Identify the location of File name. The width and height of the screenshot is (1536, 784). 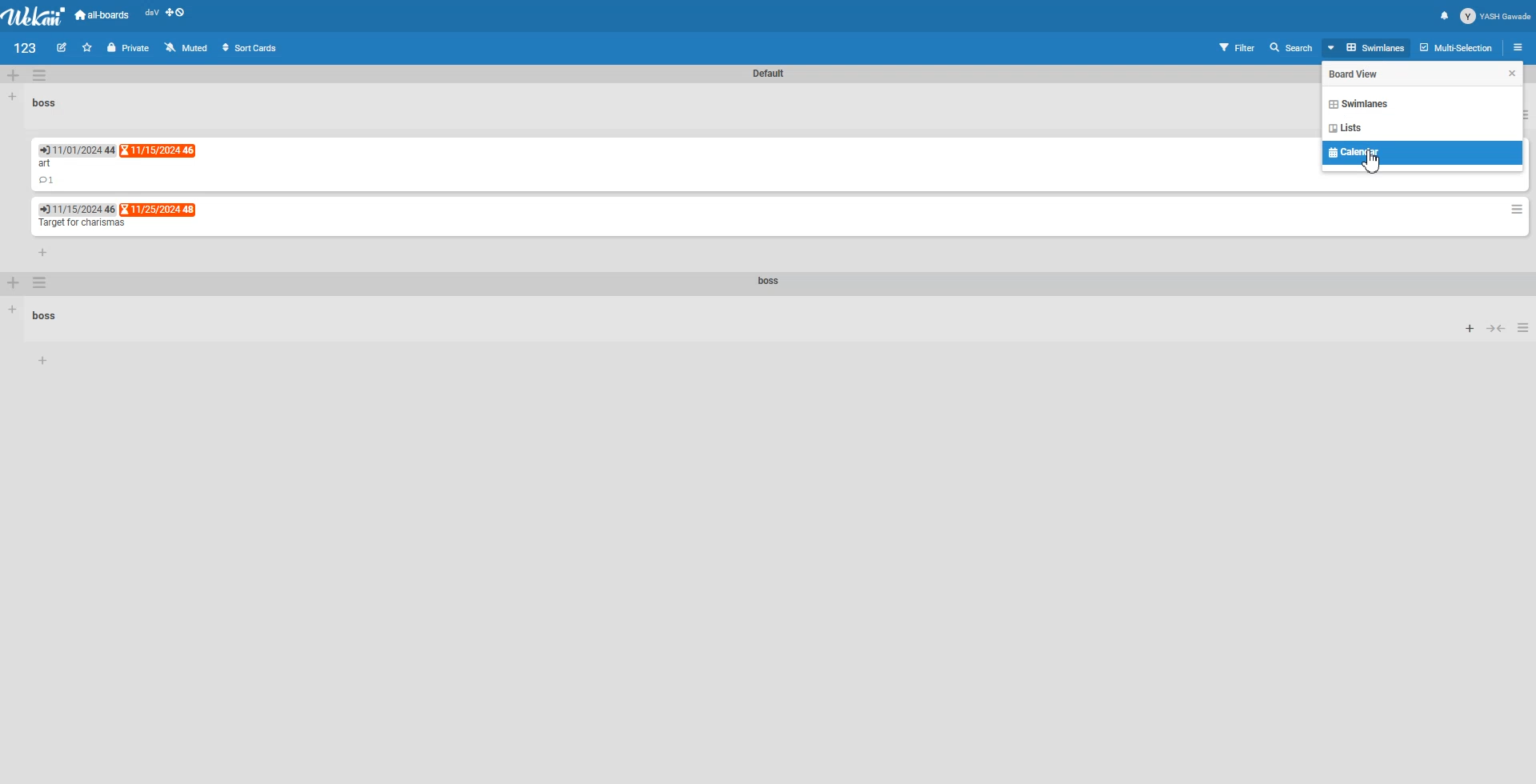
(26, 47).